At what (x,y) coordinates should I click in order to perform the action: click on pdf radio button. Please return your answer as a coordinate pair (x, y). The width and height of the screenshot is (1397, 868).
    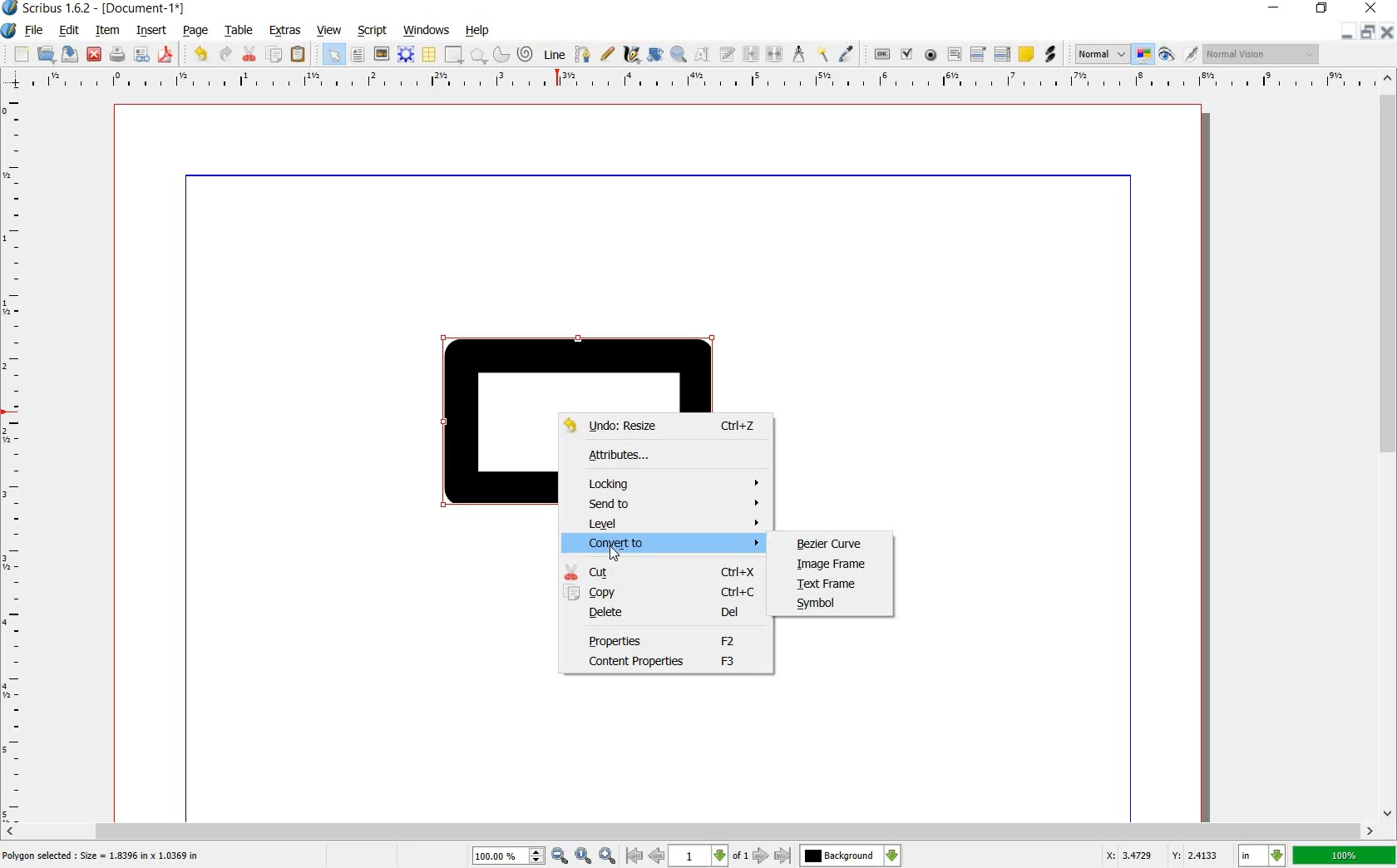
    Looking at the image, I should click on (932, 55).